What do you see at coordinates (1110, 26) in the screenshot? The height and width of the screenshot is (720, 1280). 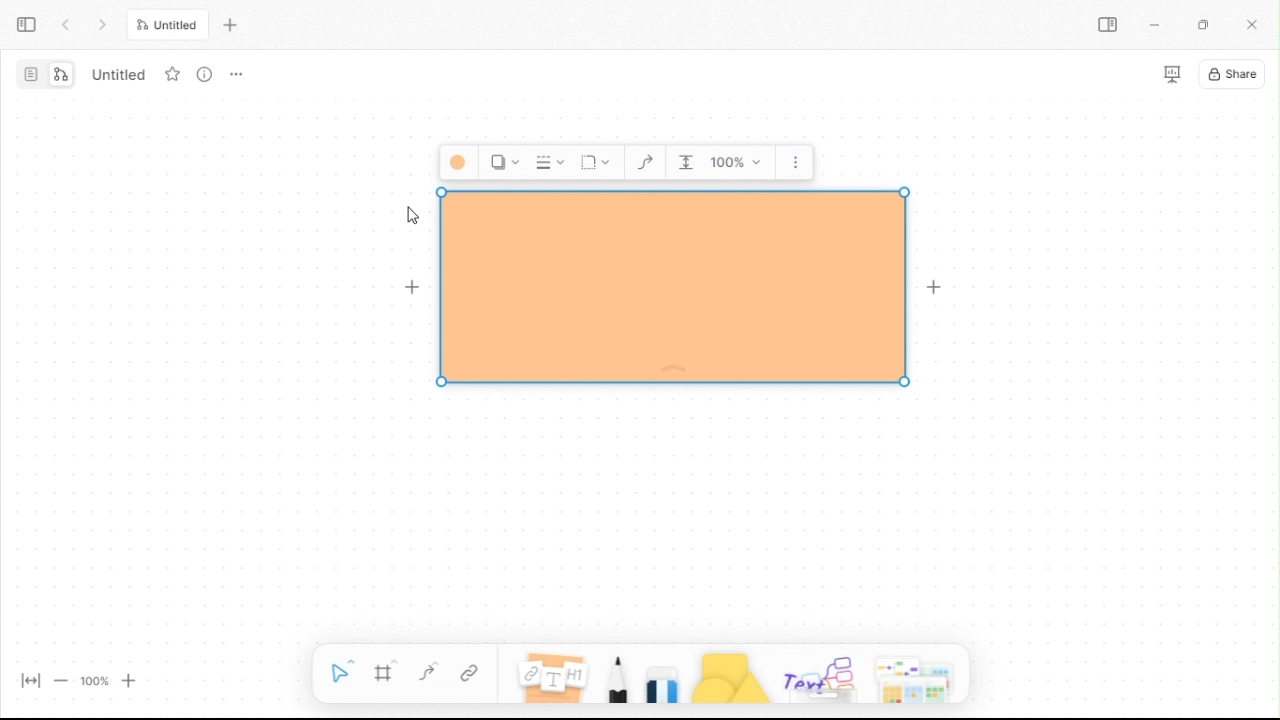 I see `sidebar` at bounding box center [1110, 26].